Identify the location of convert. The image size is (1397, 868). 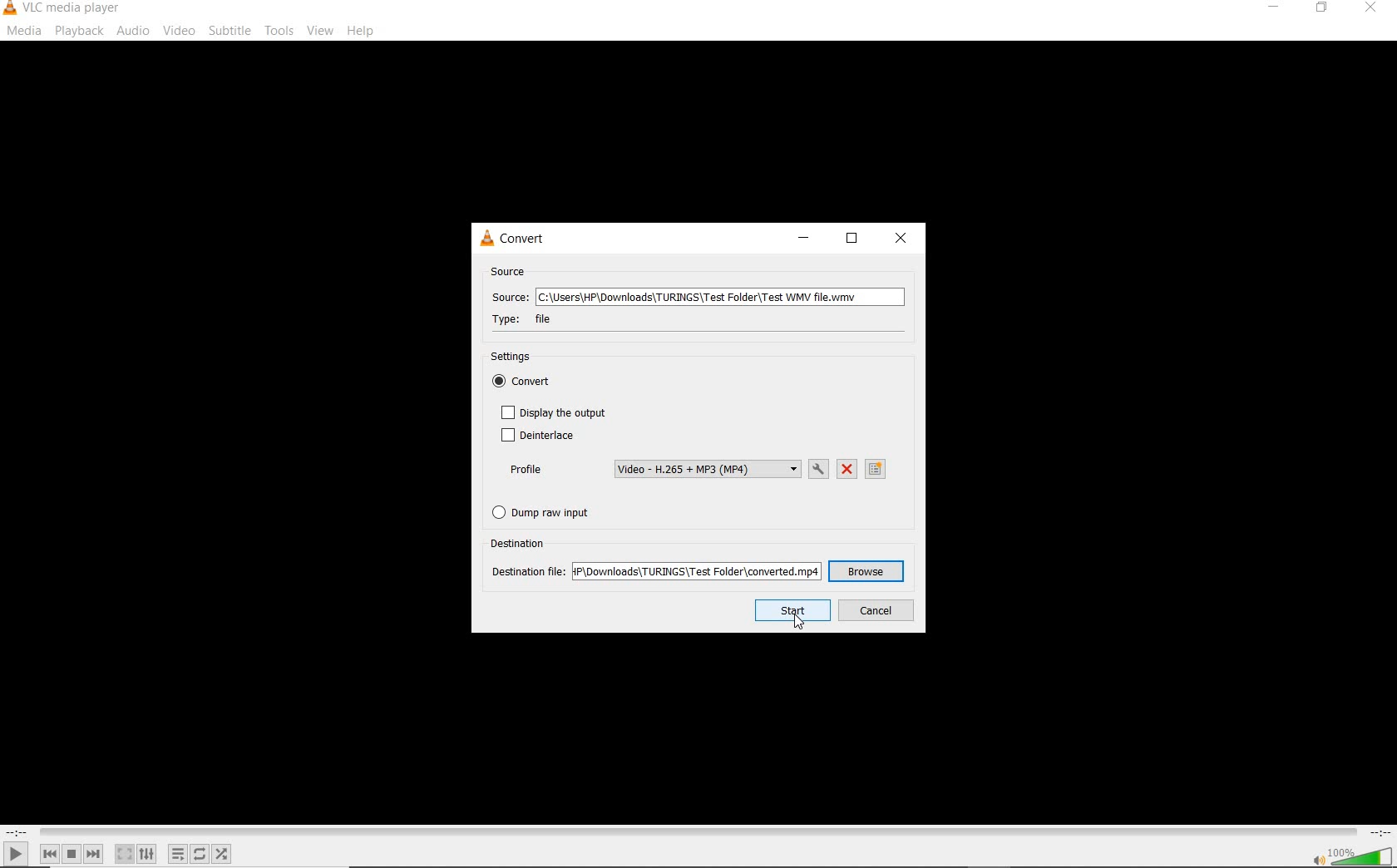
(530, 383).